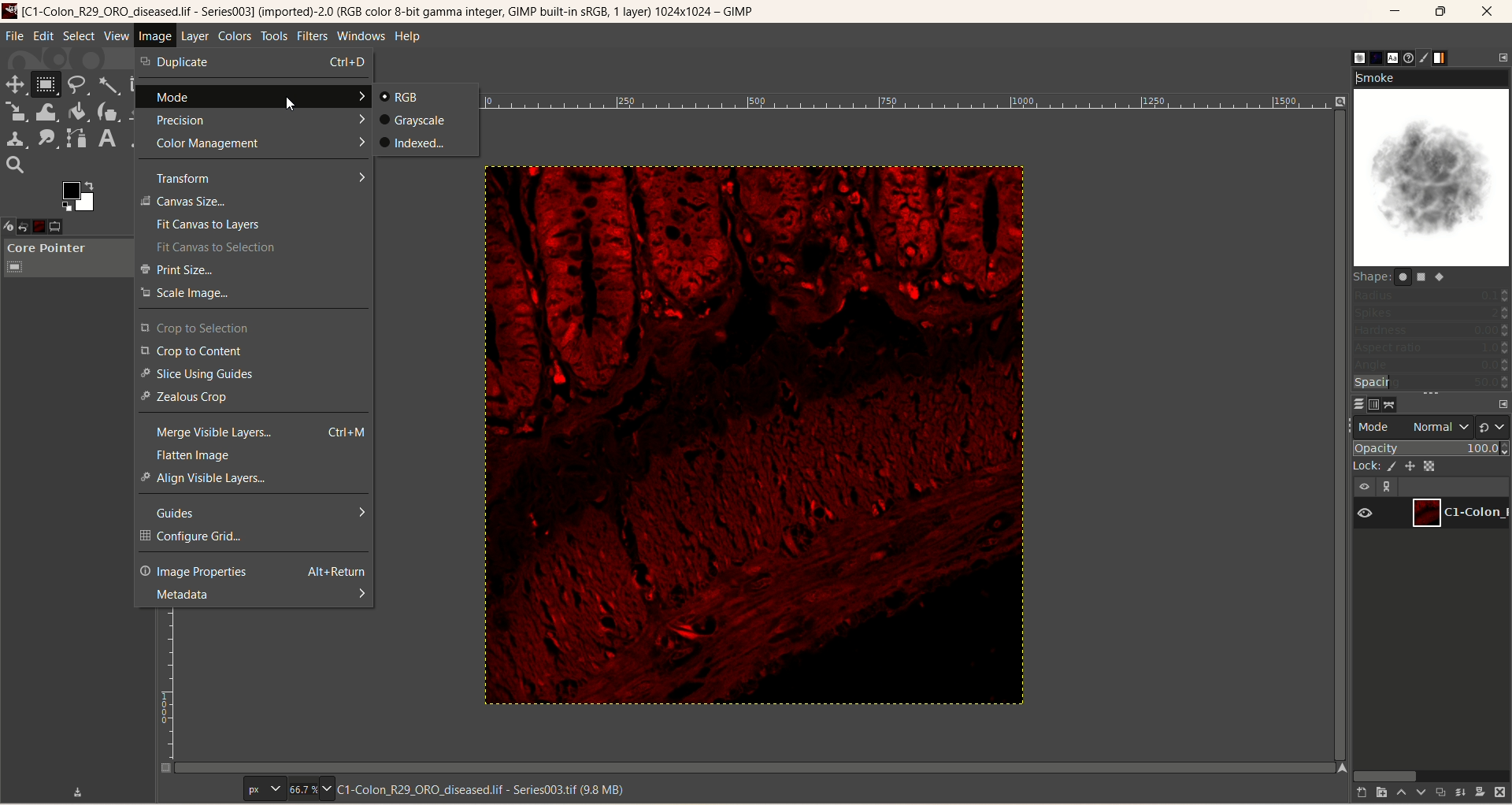 The image size is (1512, 805). Describe the element at coordinates (1480, 794) in the screenshot. I see `add mask` at that location.